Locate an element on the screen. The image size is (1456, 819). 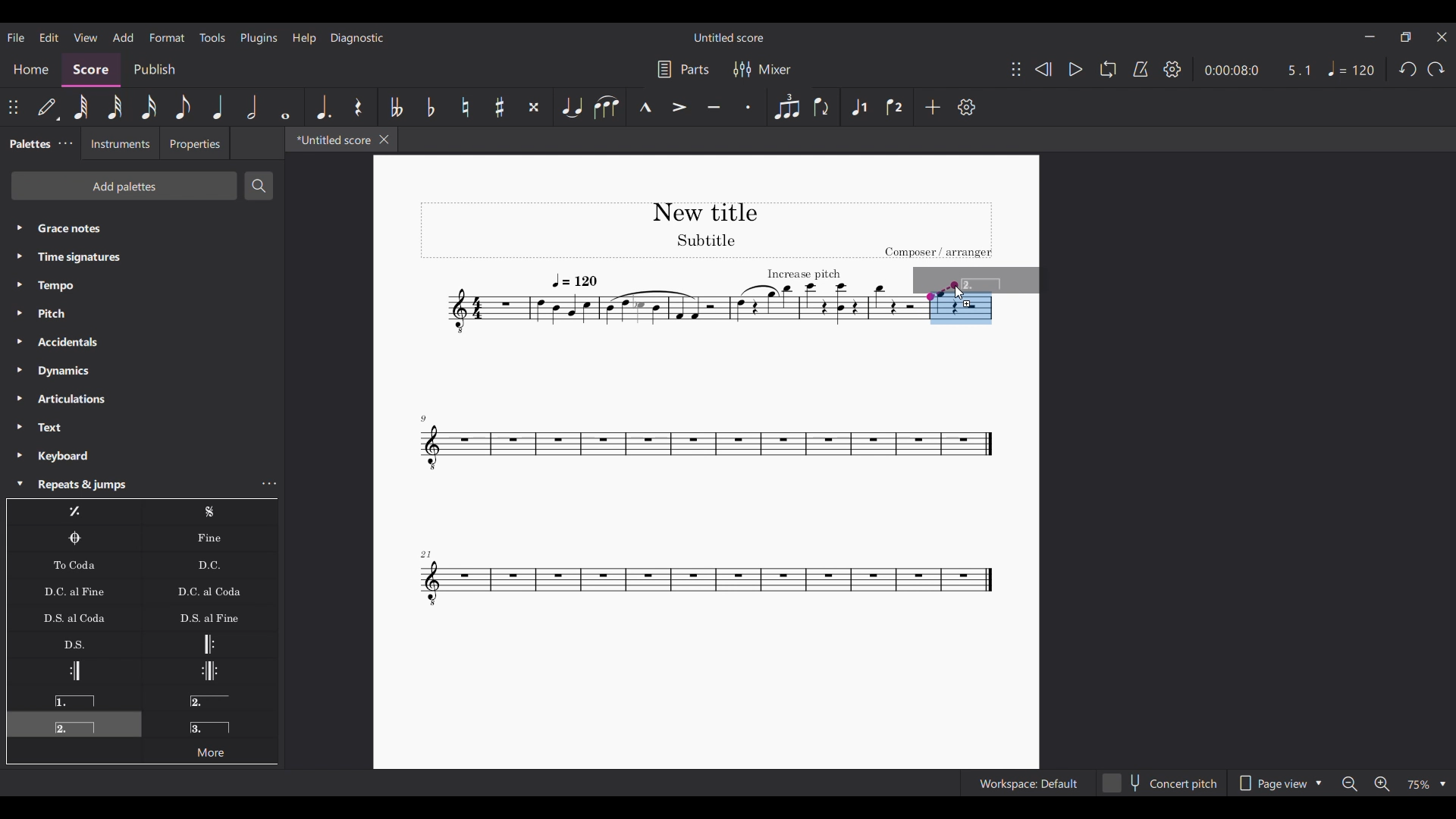
Settings is located at coordinates (967, 107).